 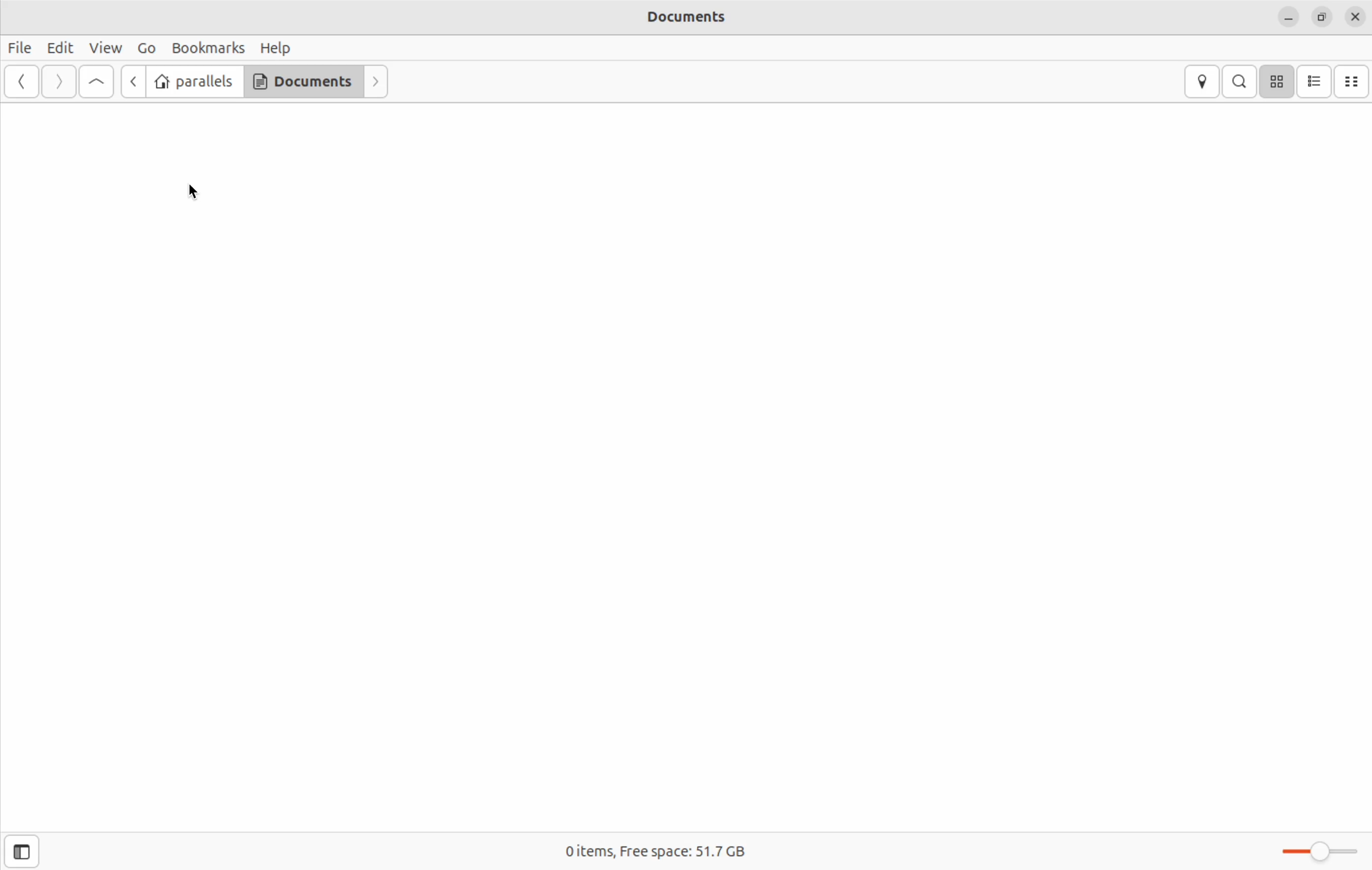 What do you see at coordinates (1356, 17) in the screenshot?
I see `close` at bounding box center [1356, 17].